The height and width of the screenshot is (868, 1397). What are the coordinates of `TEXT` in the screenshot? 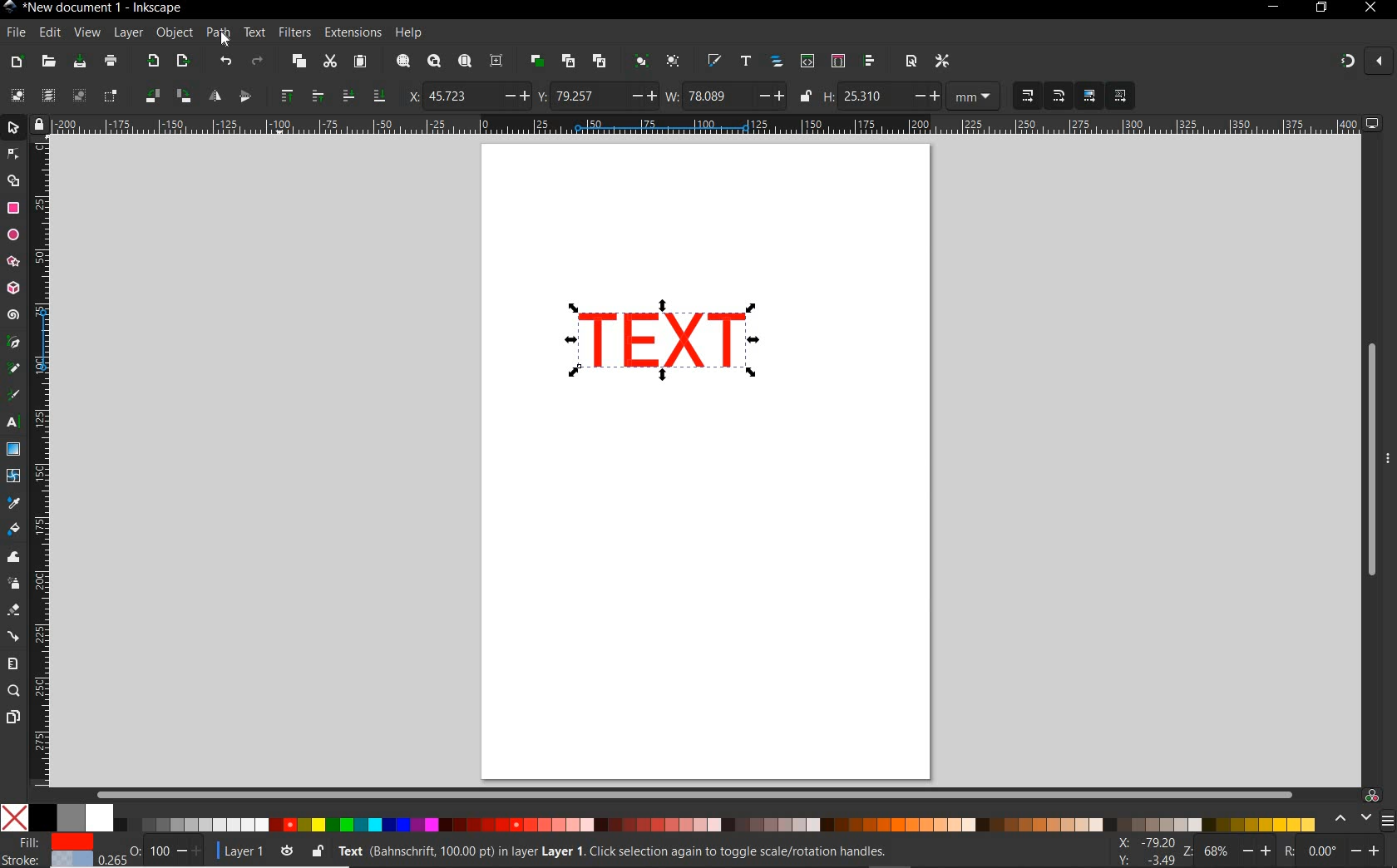 It's located at (254, 32).